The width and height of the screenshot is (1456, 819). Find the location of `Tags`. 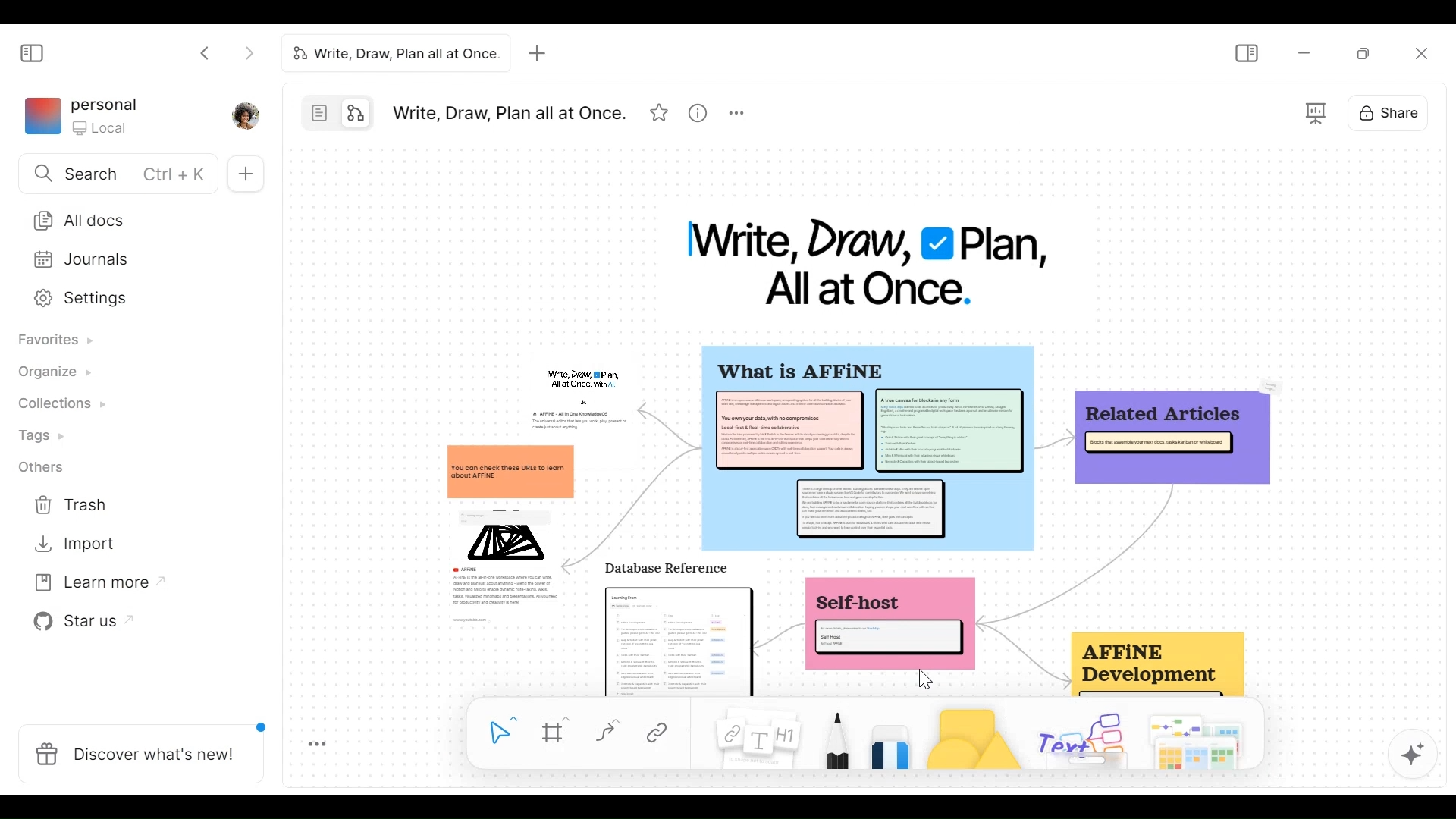

Tags is located at coordinates (33, 435).